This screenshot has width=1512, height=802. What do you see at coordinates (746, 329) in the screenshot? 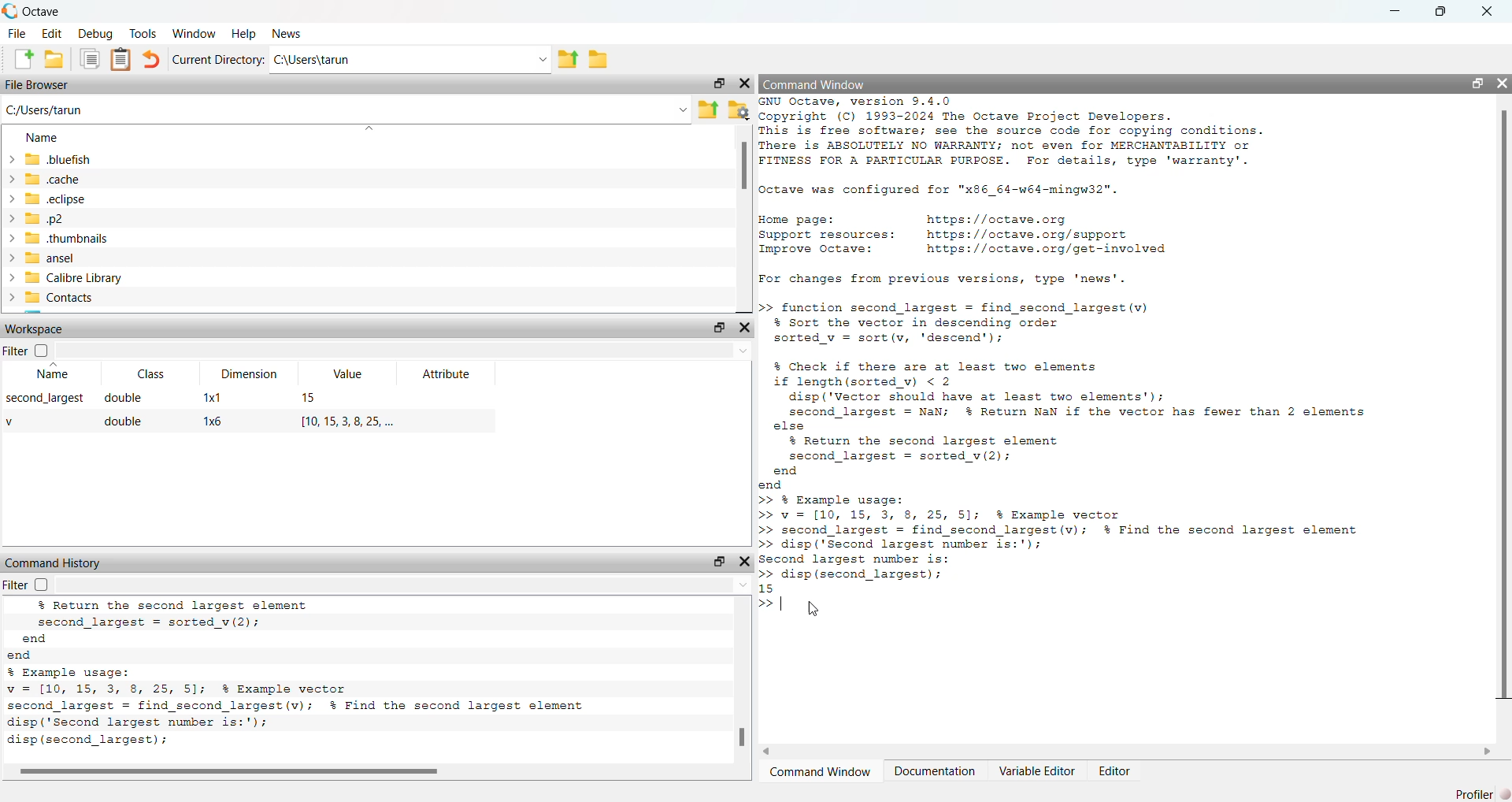
I see `hide widget` at bounding box center [746, 329].